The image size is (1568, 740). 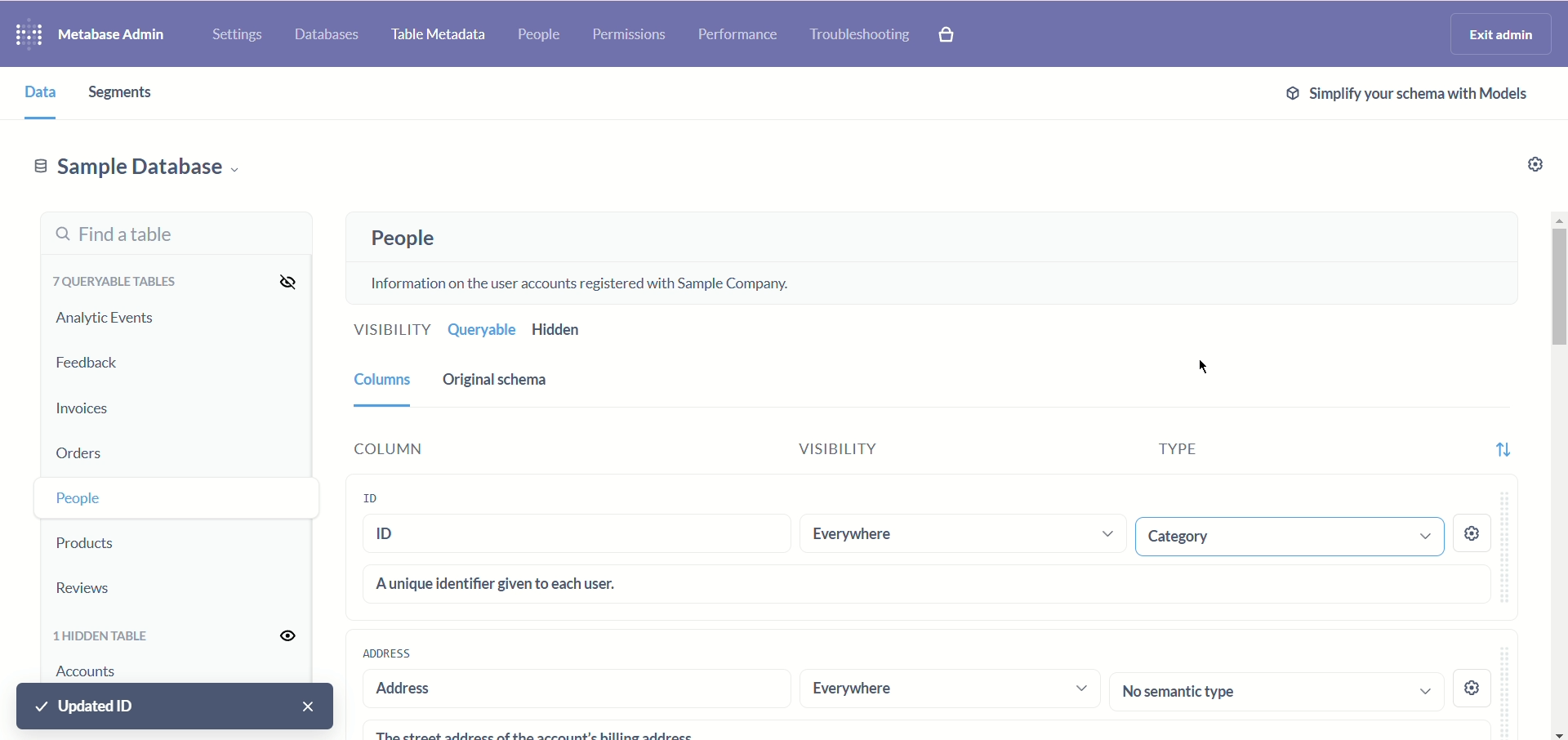 What do you see at coordinates (1502, 444) in the screenshot?
I see `sort` at bounding box center [1502, 444].